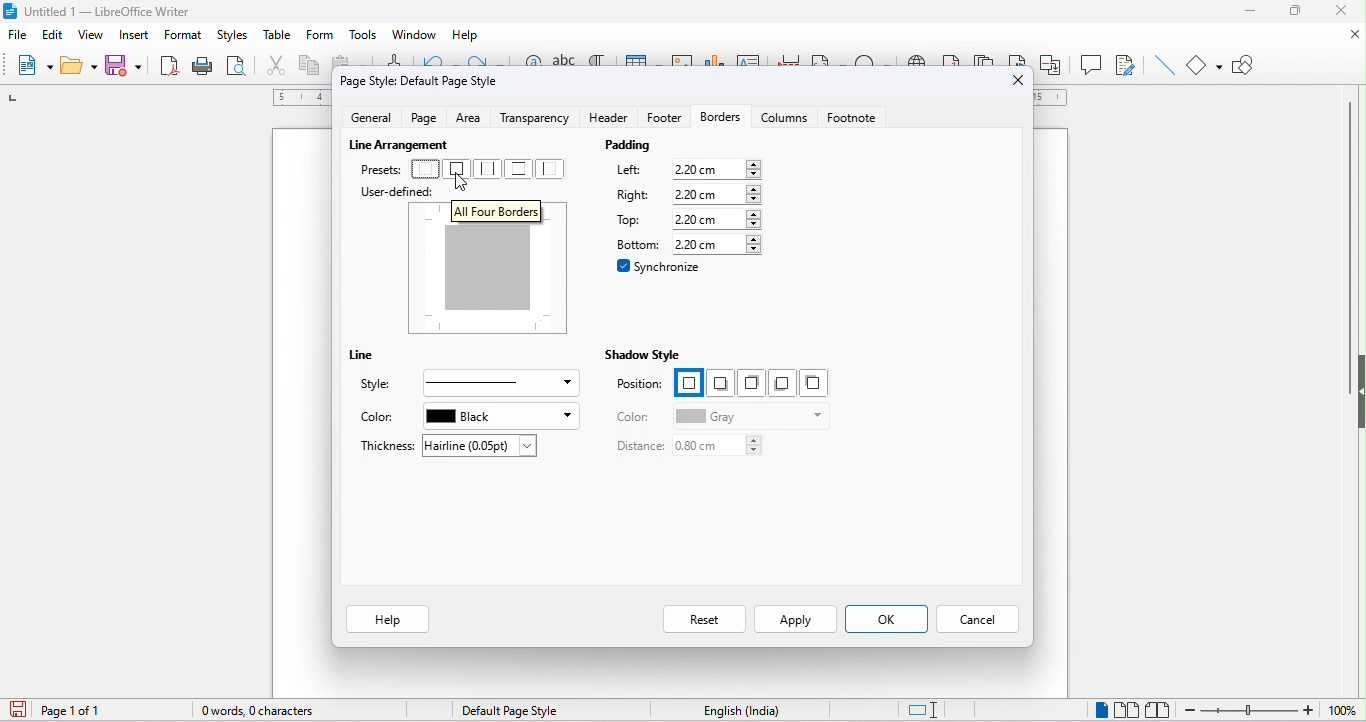 This screenshot has width=1366, height=722. What do you see at coordinates (1243, 8) in the screenshot?
I see `minimize` at bounding box center [1243, 8].